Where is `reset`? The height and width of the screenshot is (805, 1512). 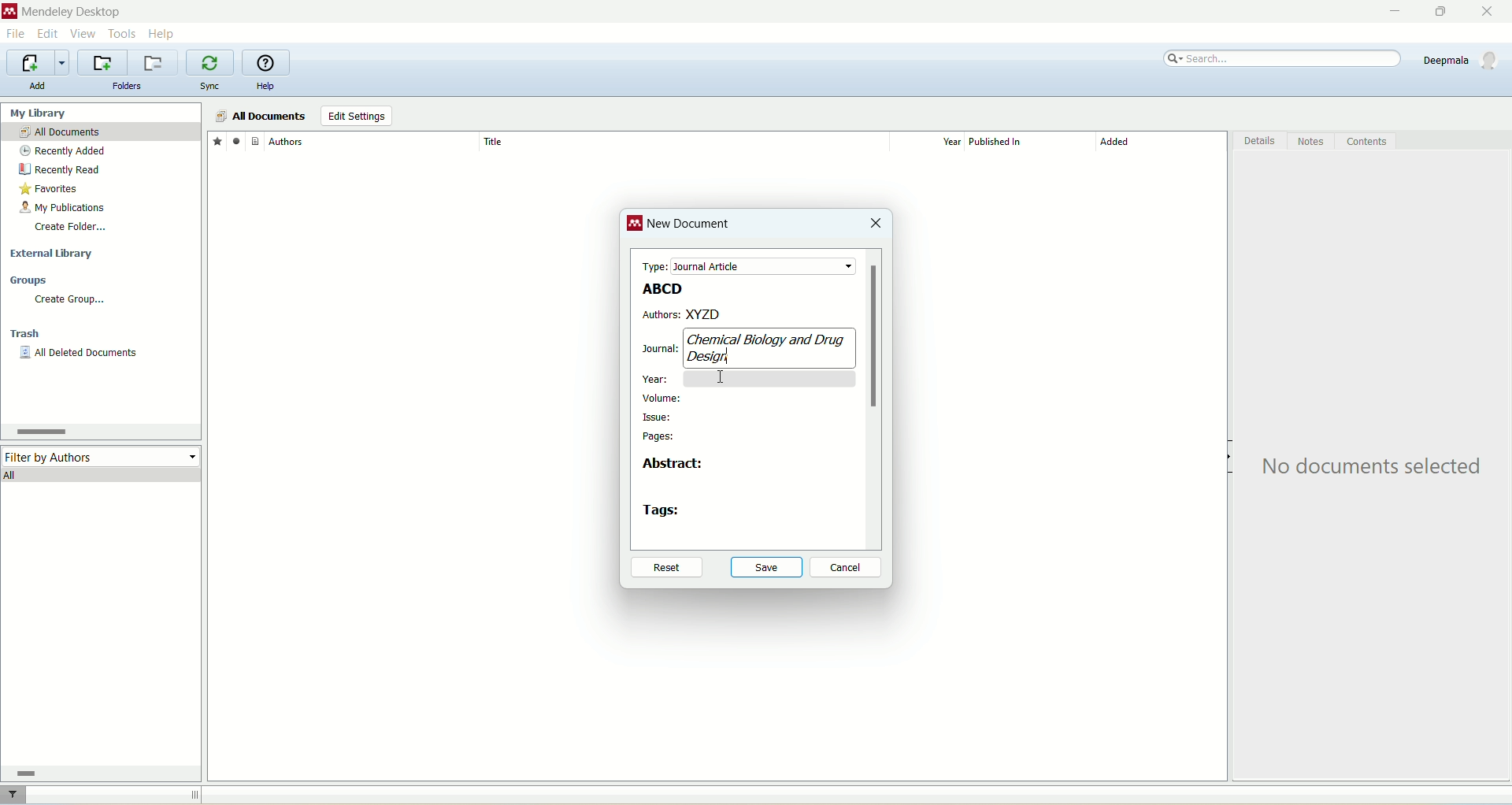
reset is located at coordinates (665, 569).